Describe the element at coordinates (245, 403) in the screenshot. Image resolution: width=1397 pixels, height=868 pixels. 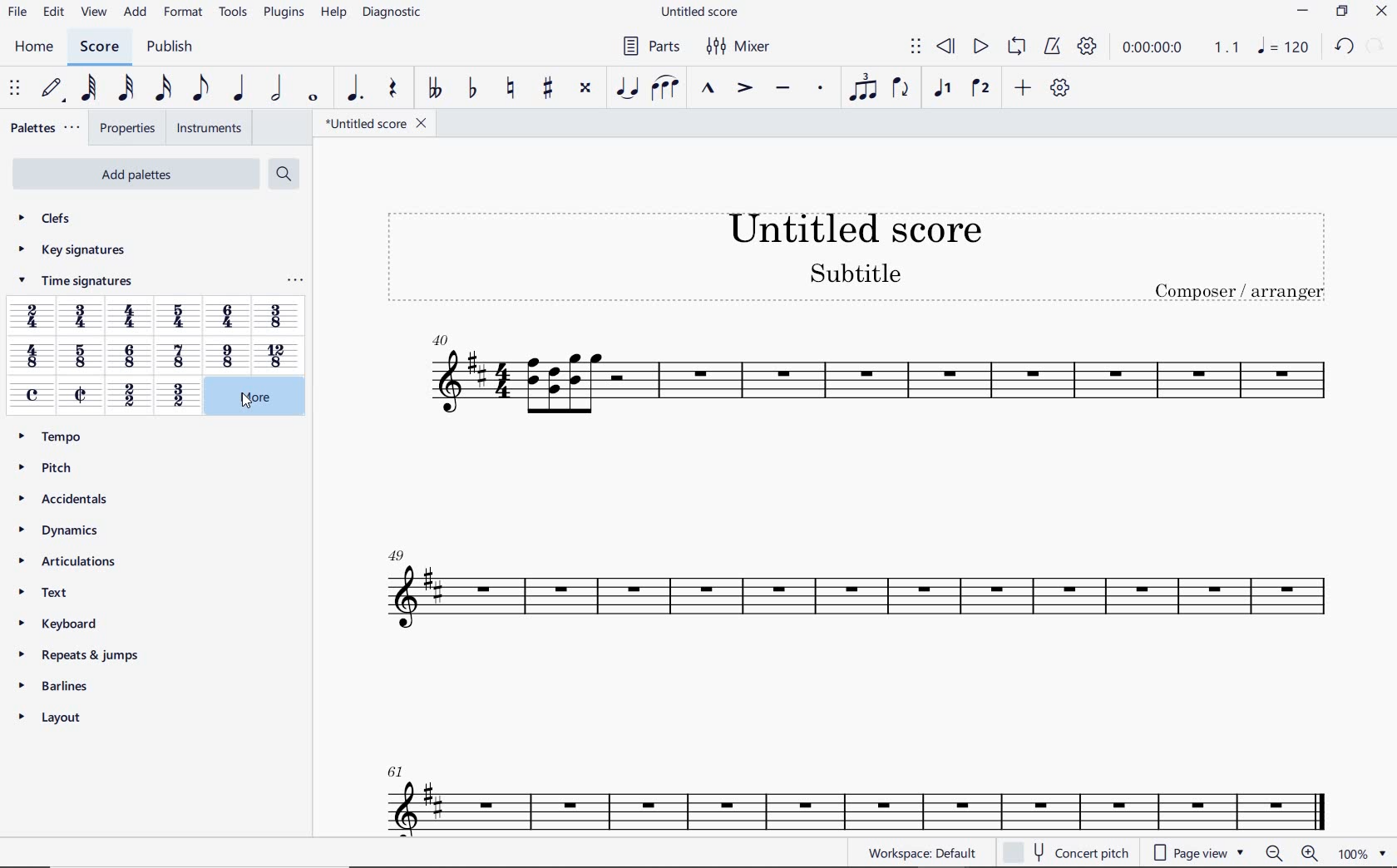
I see `cursor` at that location.